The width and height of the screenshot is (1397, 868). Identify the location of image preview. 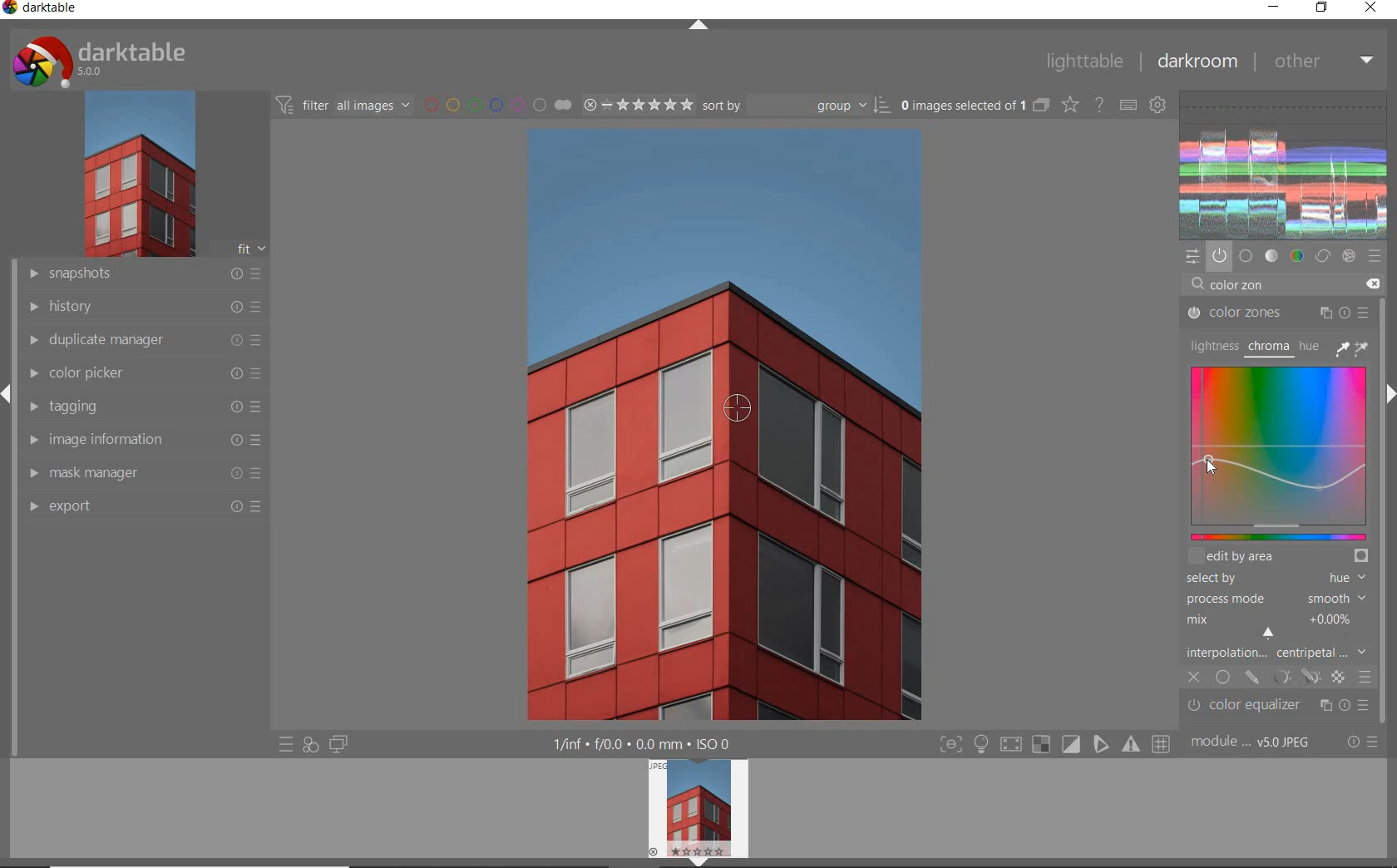
(695, 803).